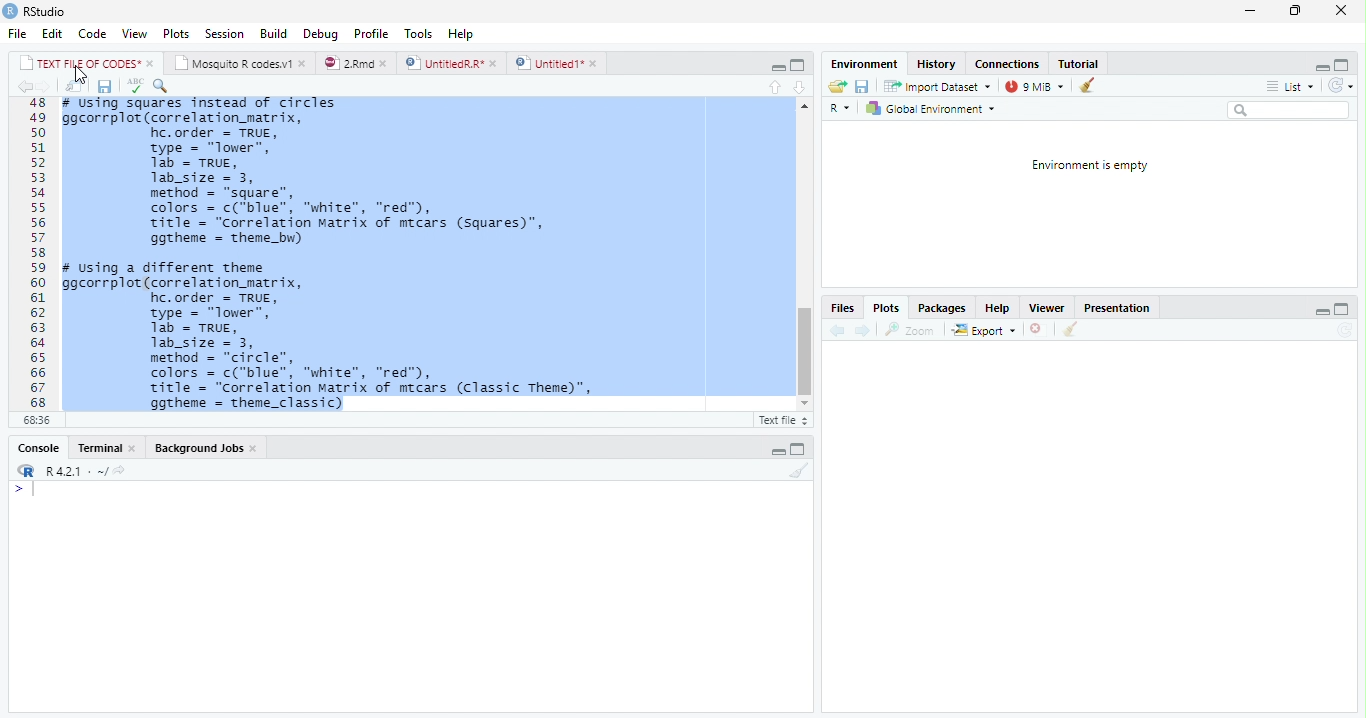 The width and height of the screenshot is (1366, 718). I want to click on connections, so click(1009, 64).